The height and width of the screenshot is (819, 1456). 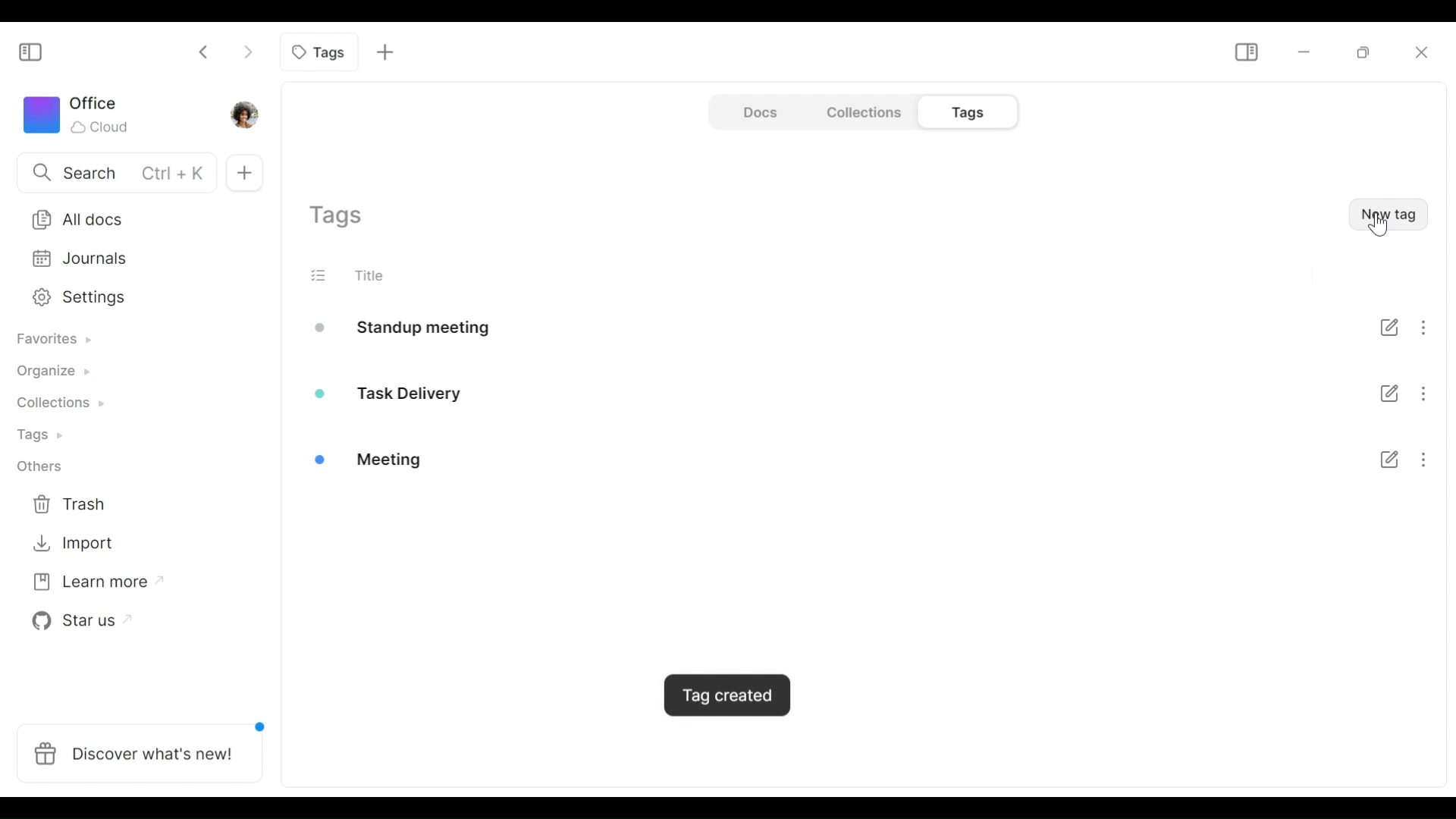 I want to click on Discover what's new!, so click(x=138, y=757).